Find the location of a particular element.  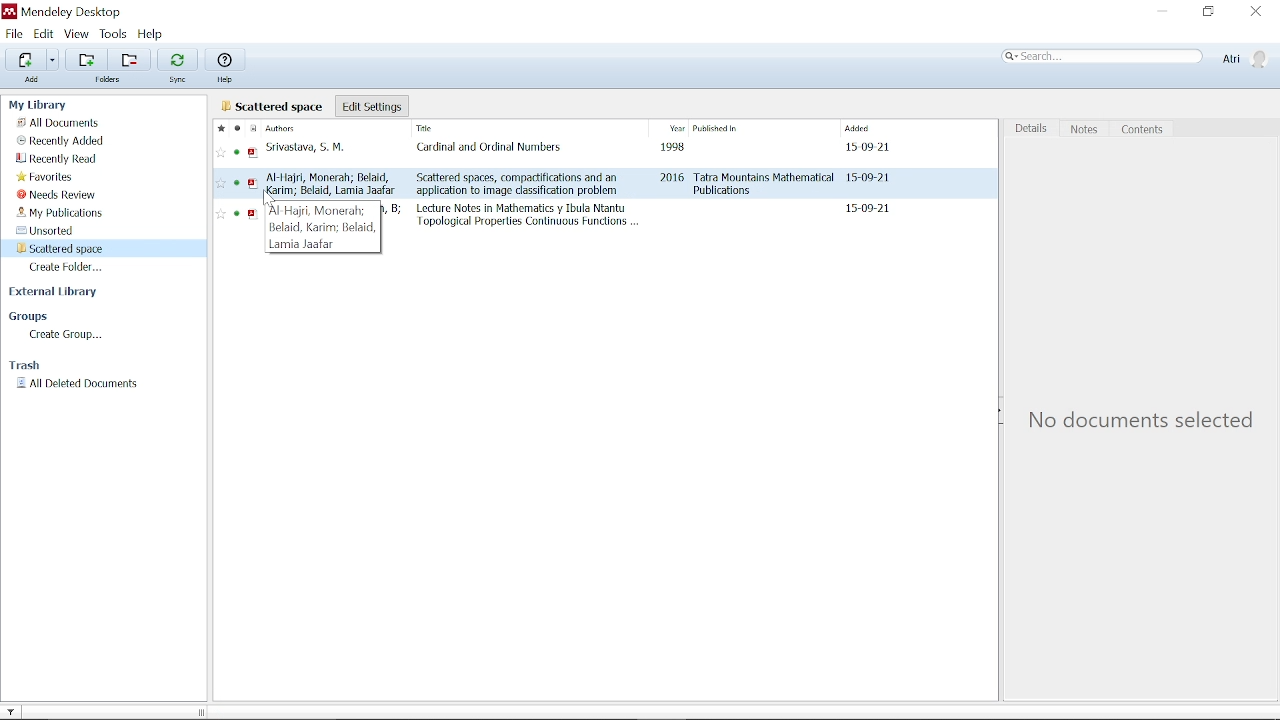

document selection information is located at coordinates (1134, 422).